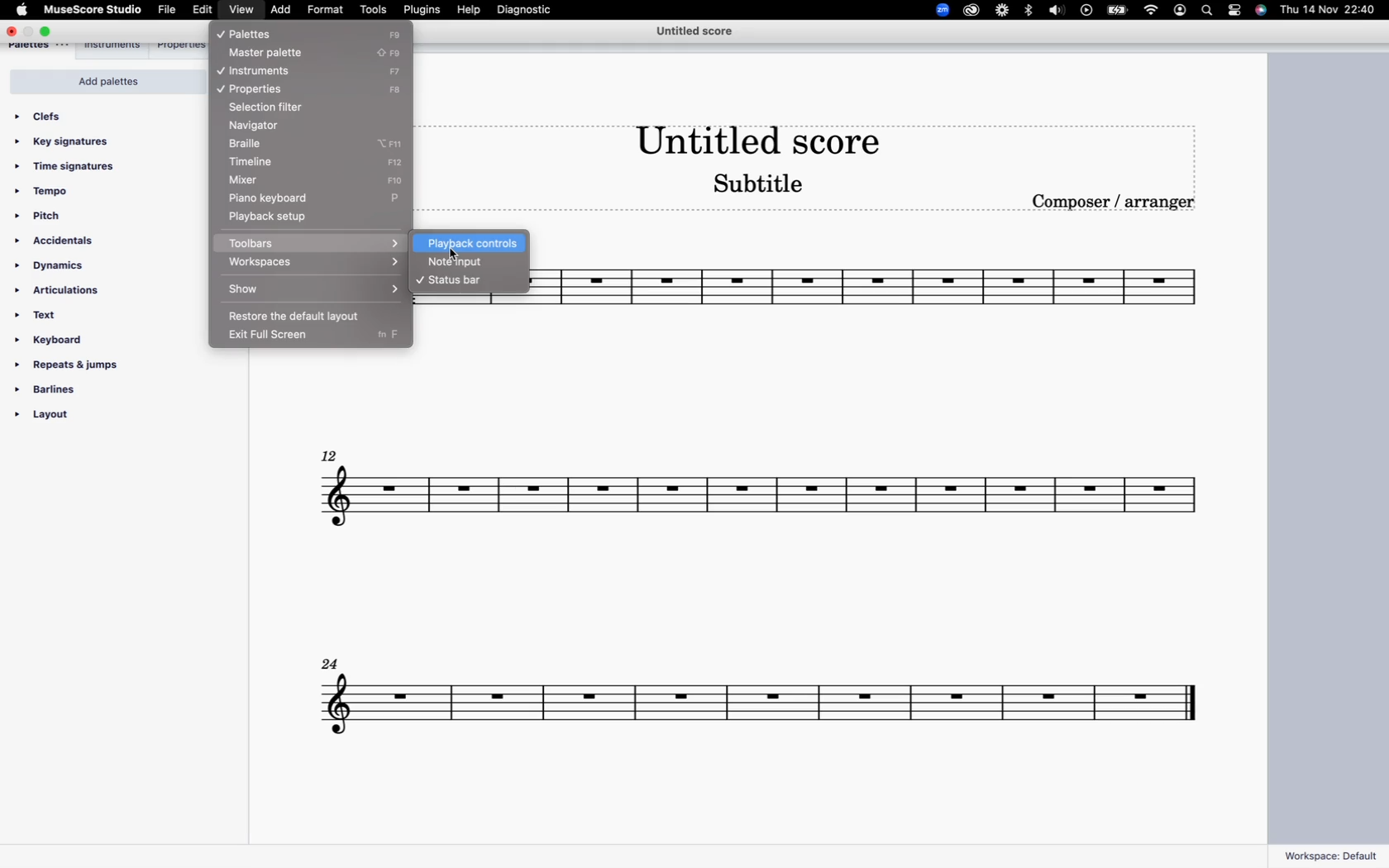  What do you see at coordinates (1118, 207) in the screenshot?
I see `composer / arranger` at bounding box center [1118, 207].